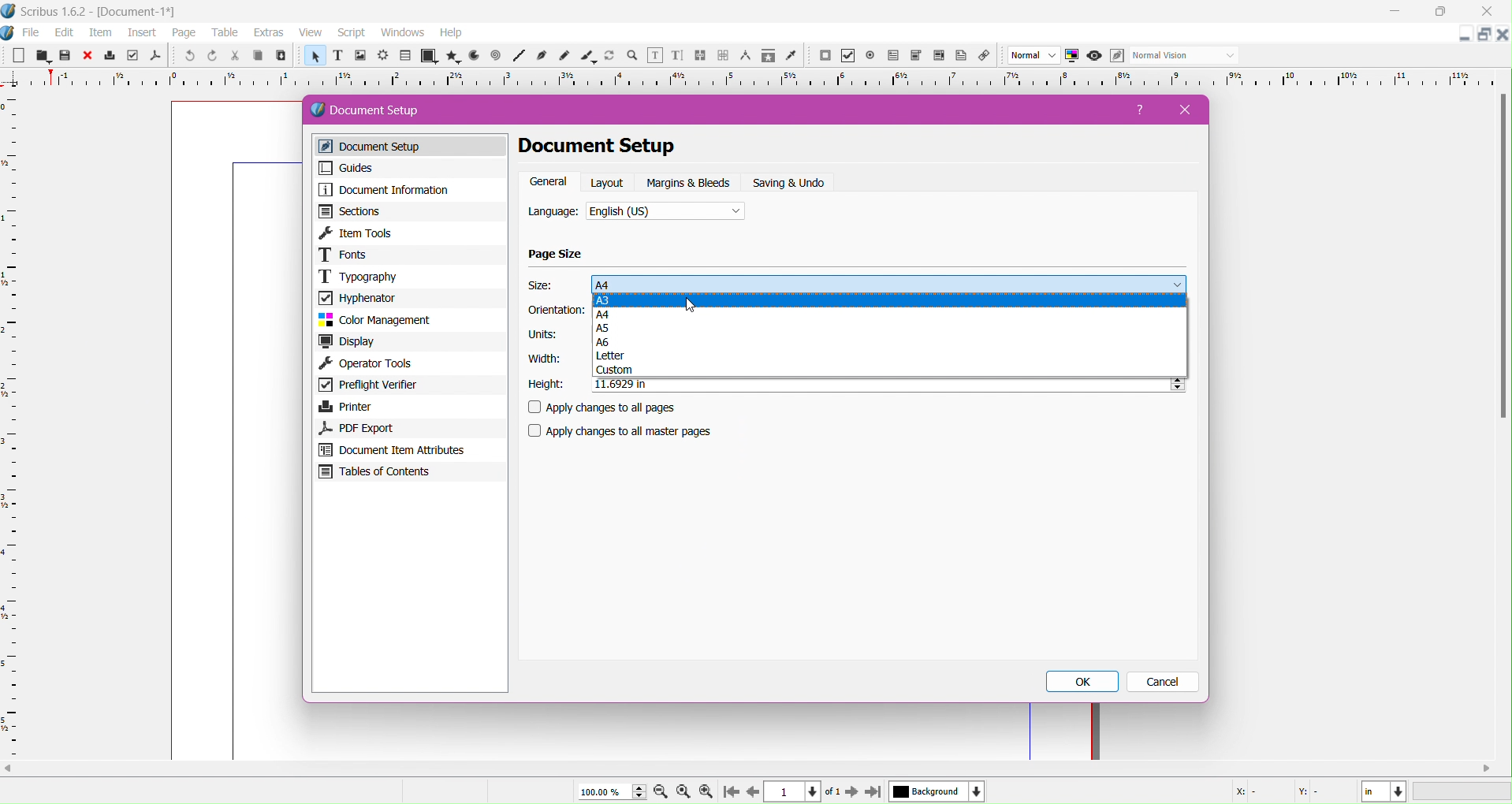 The width and height of the screenshot is (1512, 804). I want to click on print, so click(110, 56).